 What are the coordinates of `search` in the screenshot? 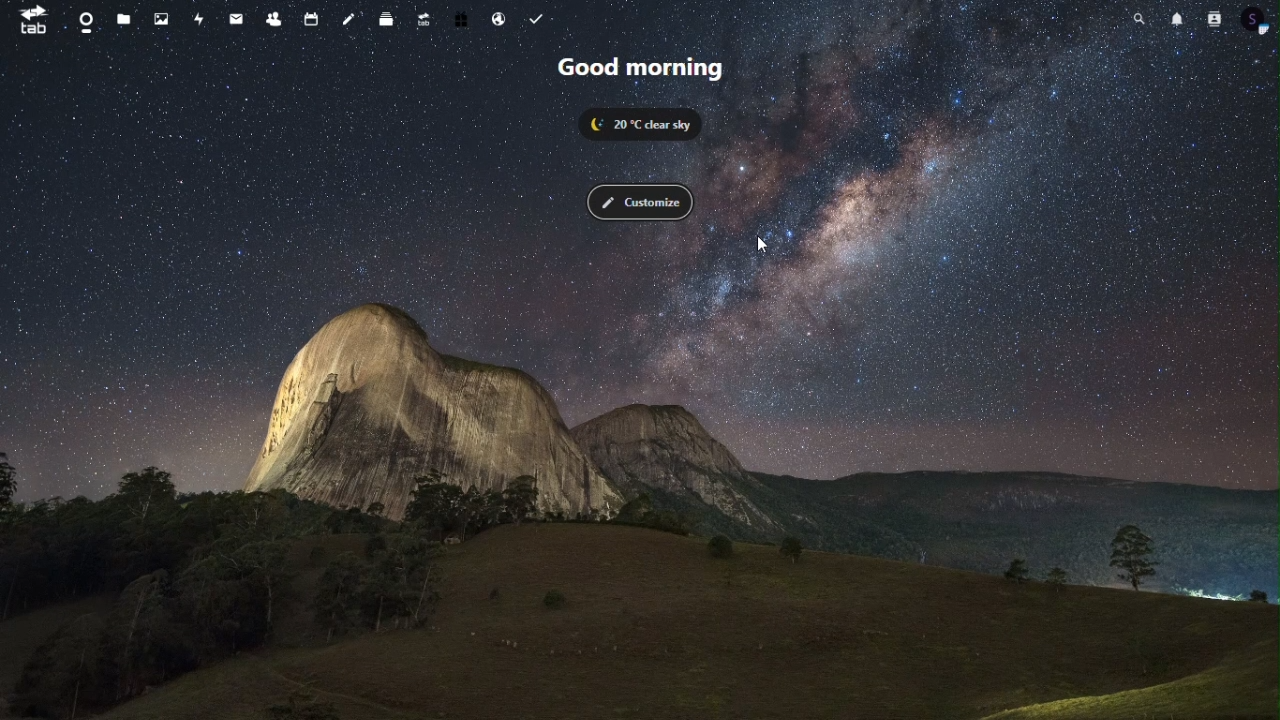 It's located at (1136, 19).